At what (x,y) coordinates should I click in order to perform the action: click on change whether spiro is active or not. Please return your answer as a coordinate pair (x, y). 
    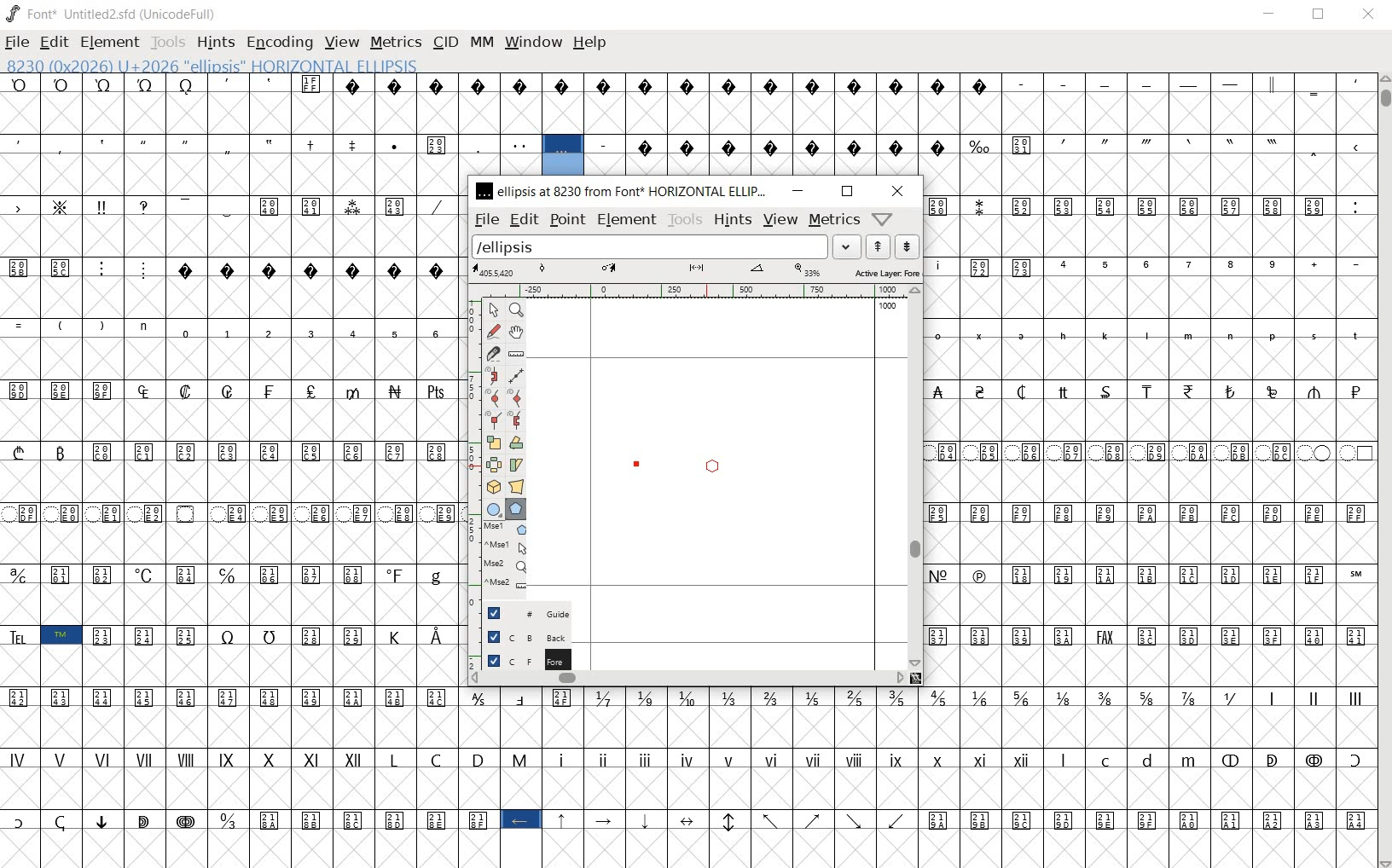
    Looking at the image, I should click on (493, 375).